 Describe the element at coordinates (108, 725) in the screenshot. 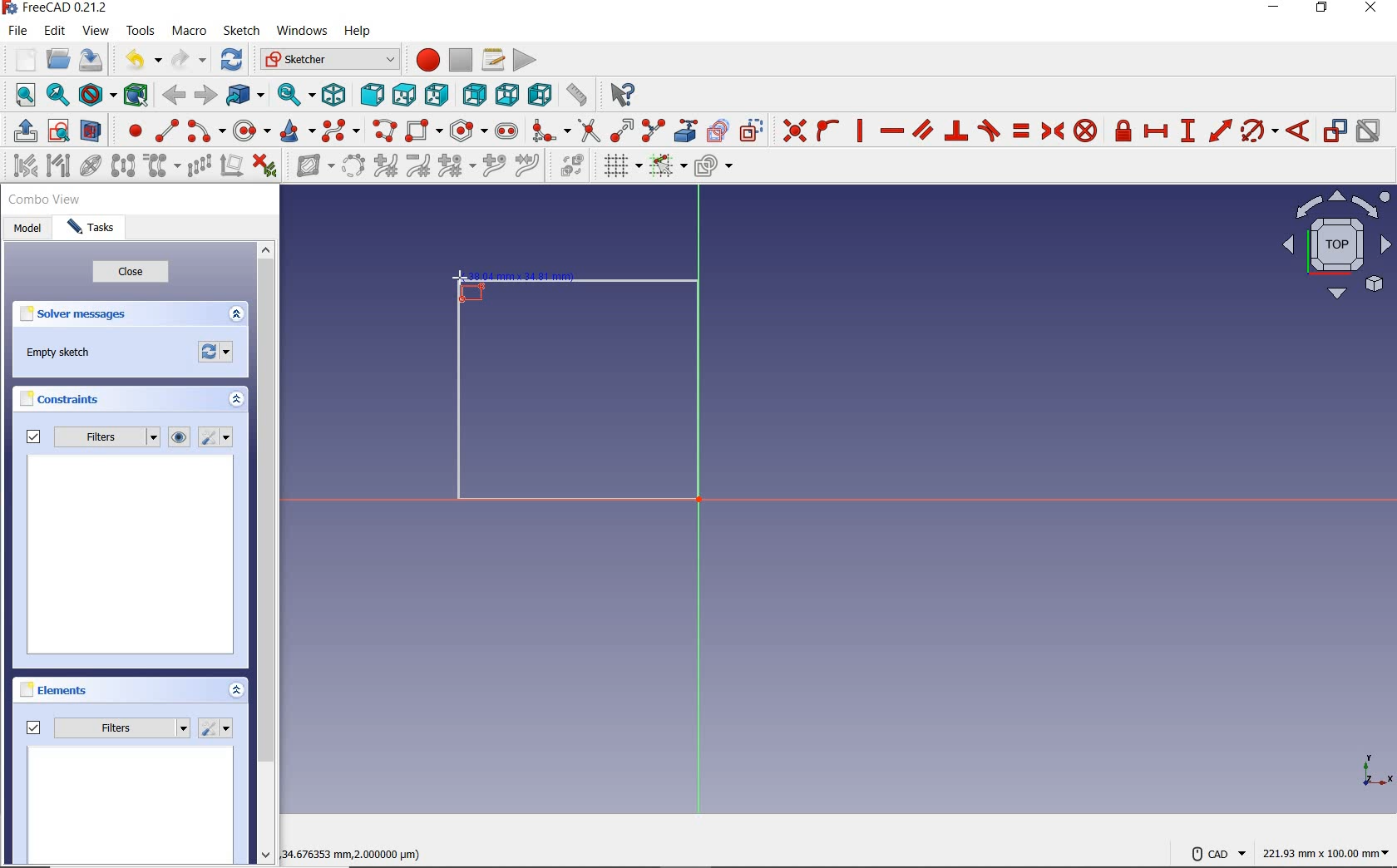

I see `filters` at that location.